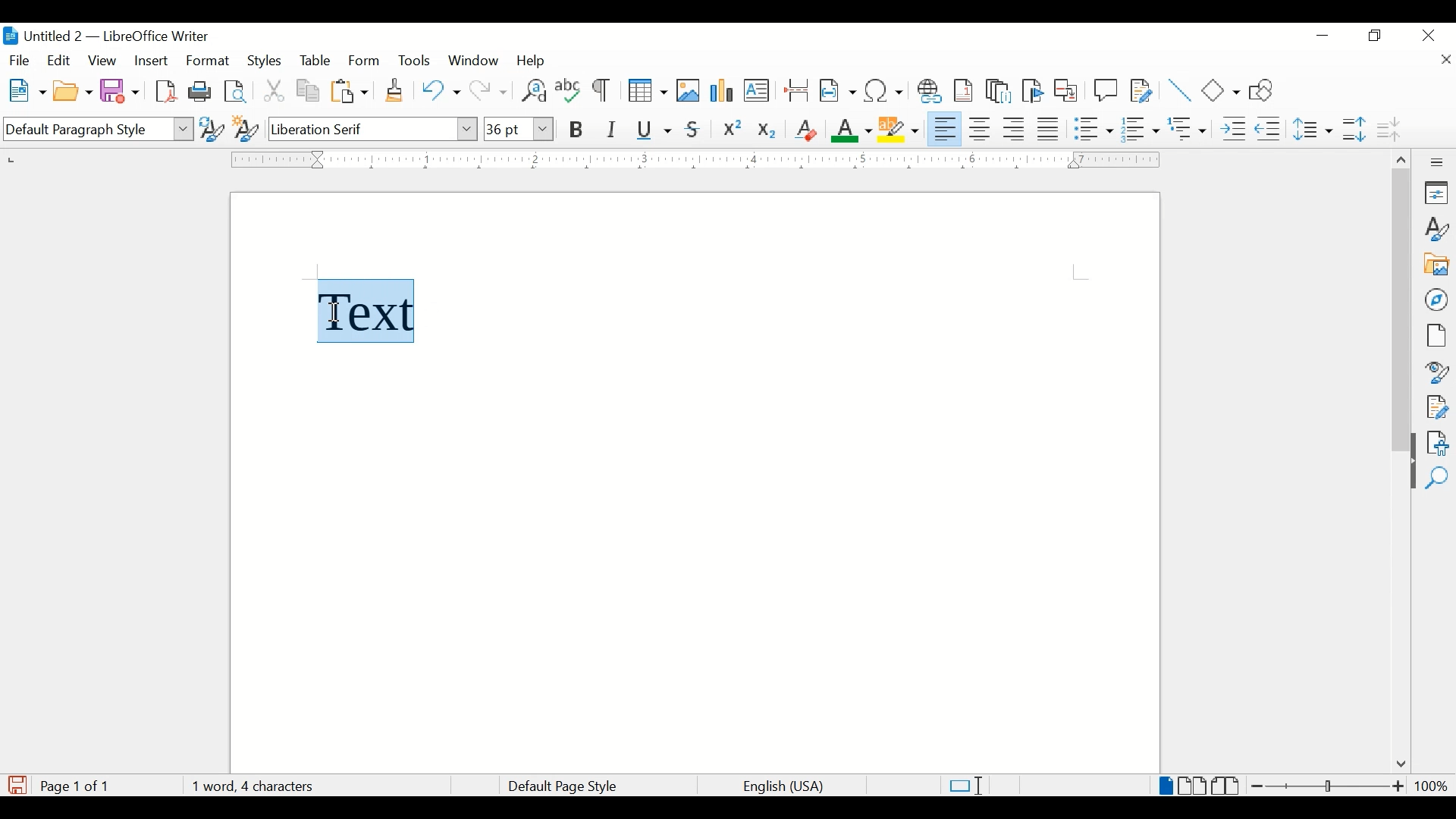  I want to click on font color, so click(852, 130).